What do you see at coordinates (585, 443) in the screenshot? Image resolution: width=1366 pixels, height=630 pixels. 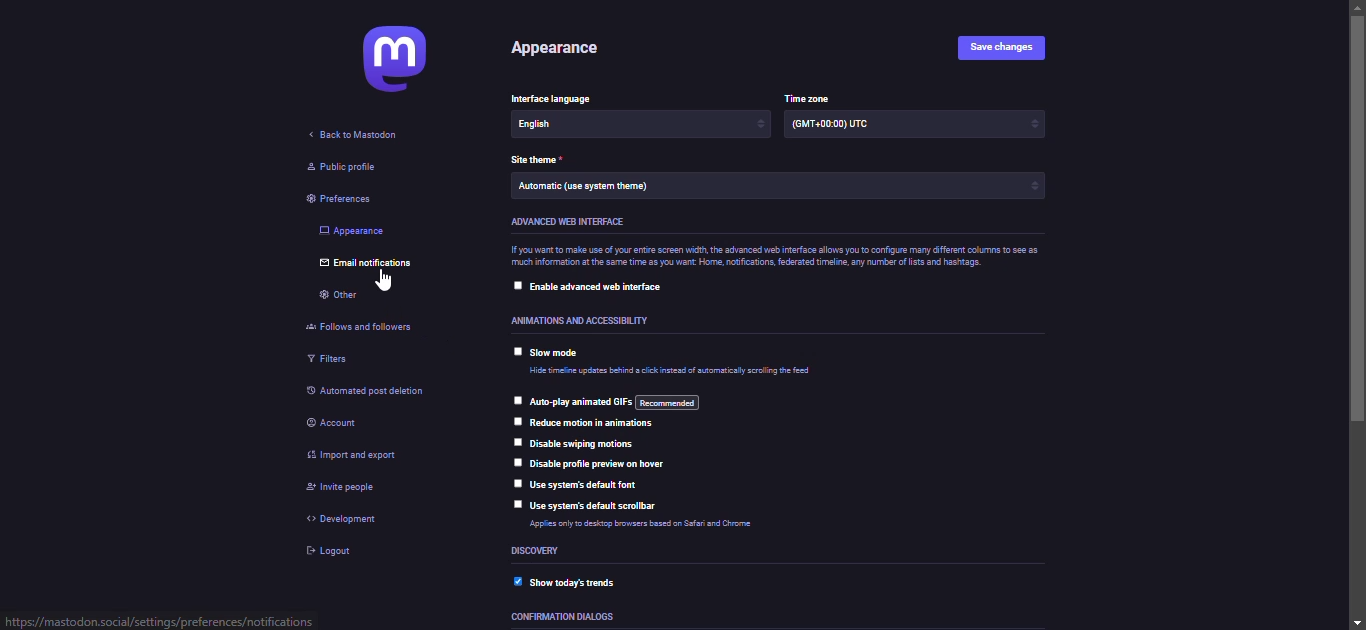 I see `disable swiping motions` at bounding box center [585, 443].